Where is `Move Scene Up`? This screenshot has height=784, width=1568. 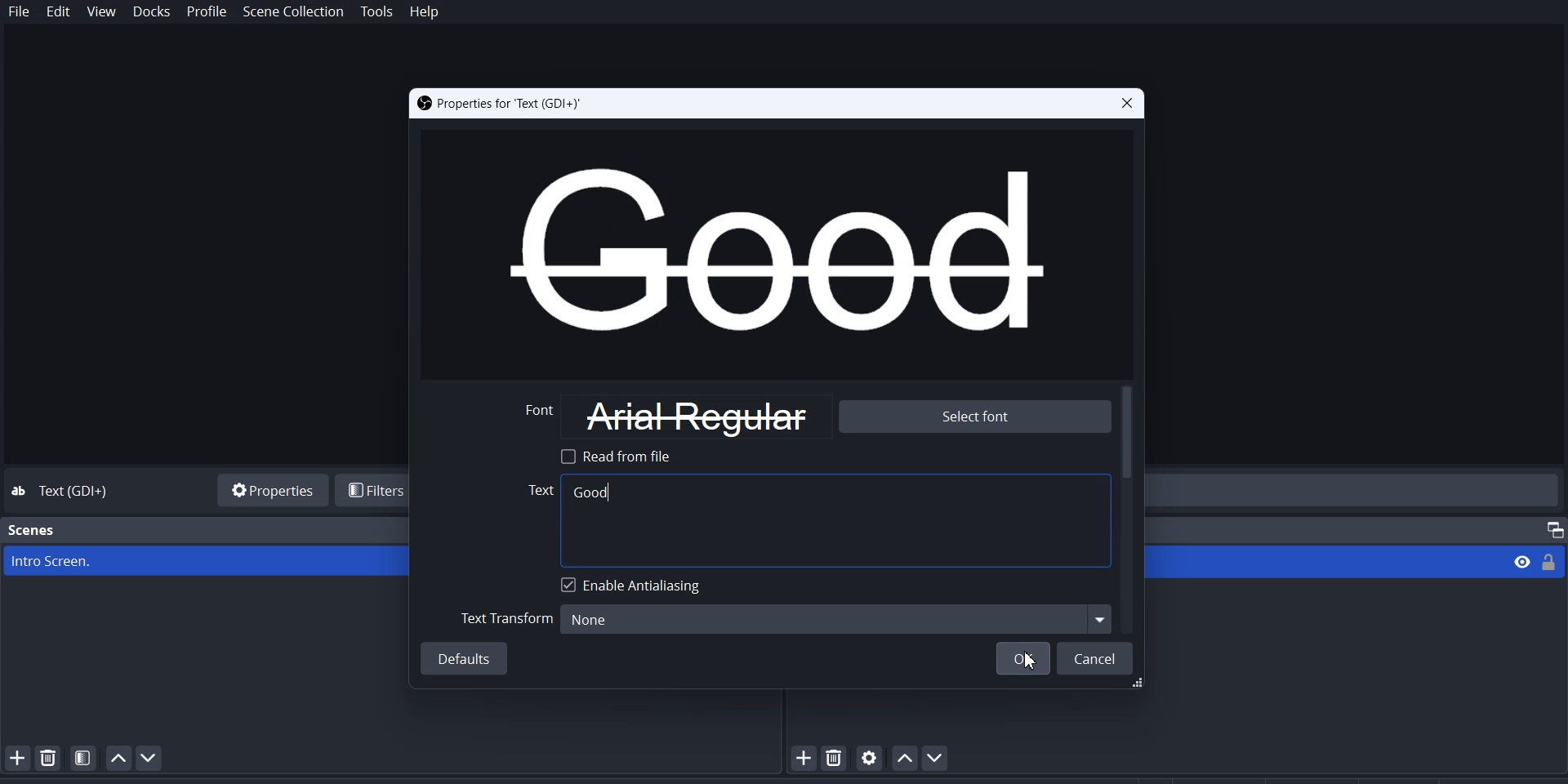 Move Scene Up is located at coordinates (118, 758).